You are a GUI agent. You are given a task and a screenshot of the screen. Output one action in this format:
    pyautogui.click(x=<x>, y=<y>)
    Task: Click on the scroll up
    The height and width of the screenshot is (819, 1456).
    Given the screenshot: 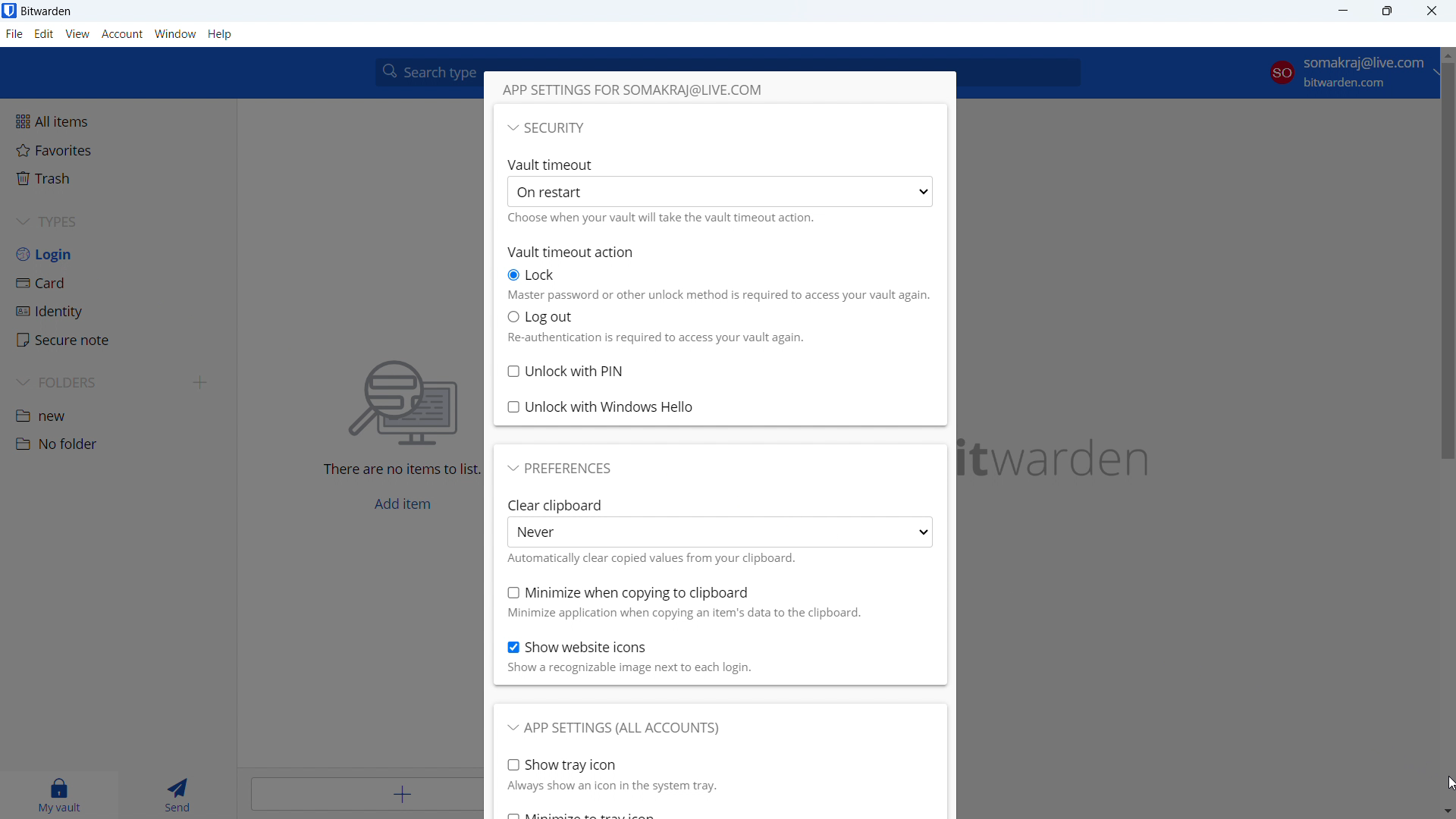 What is the action you would take?
    pyautogui.click(x=1446, y=52)
    